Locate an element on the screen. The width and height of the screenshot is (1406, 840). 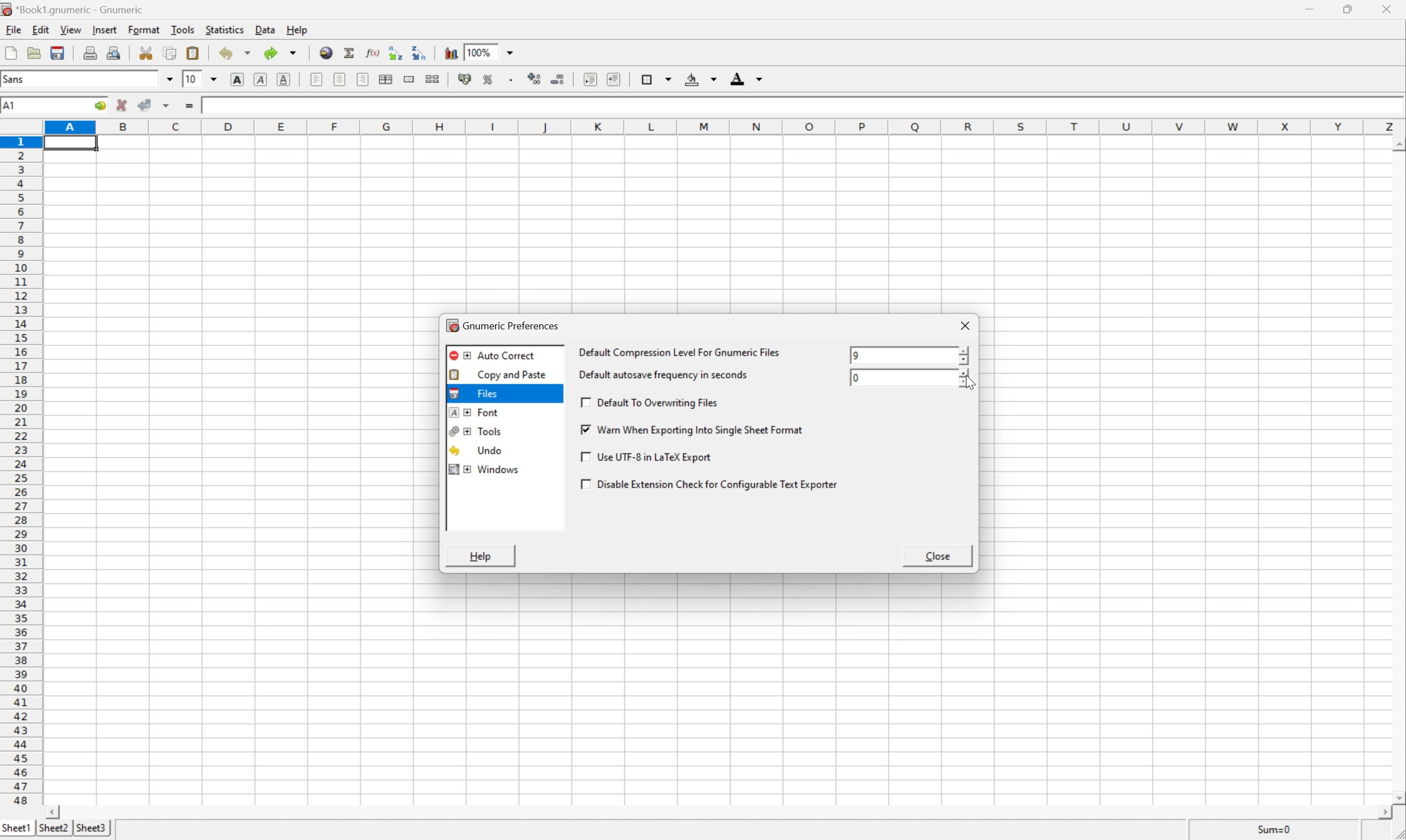
warn when exporting into single sheet format is located at coordinates (691, 428).